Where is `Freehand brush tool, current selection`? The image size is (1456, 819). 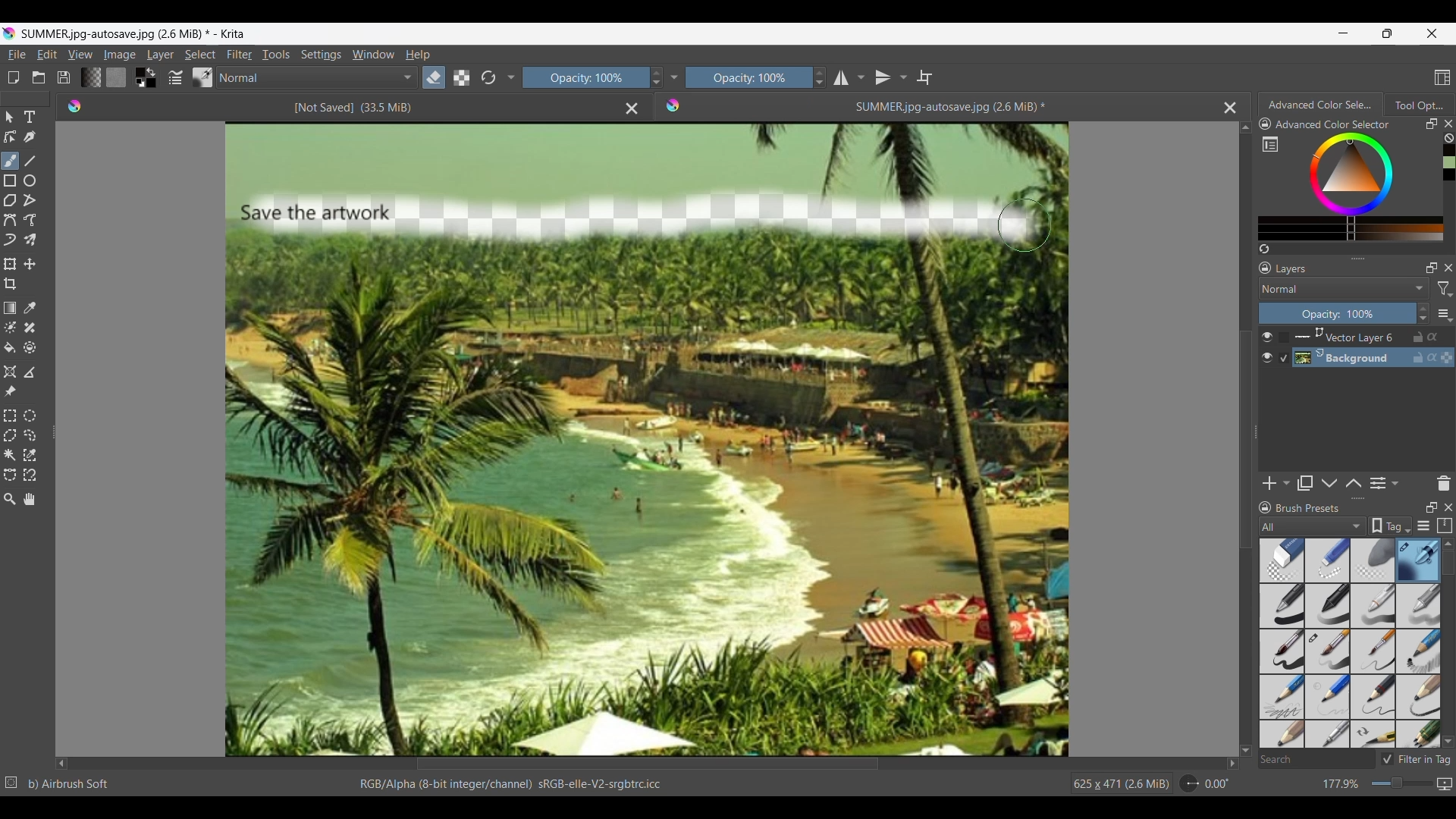 Freehand brush tool, current selection is located at coordinates (11, 161).